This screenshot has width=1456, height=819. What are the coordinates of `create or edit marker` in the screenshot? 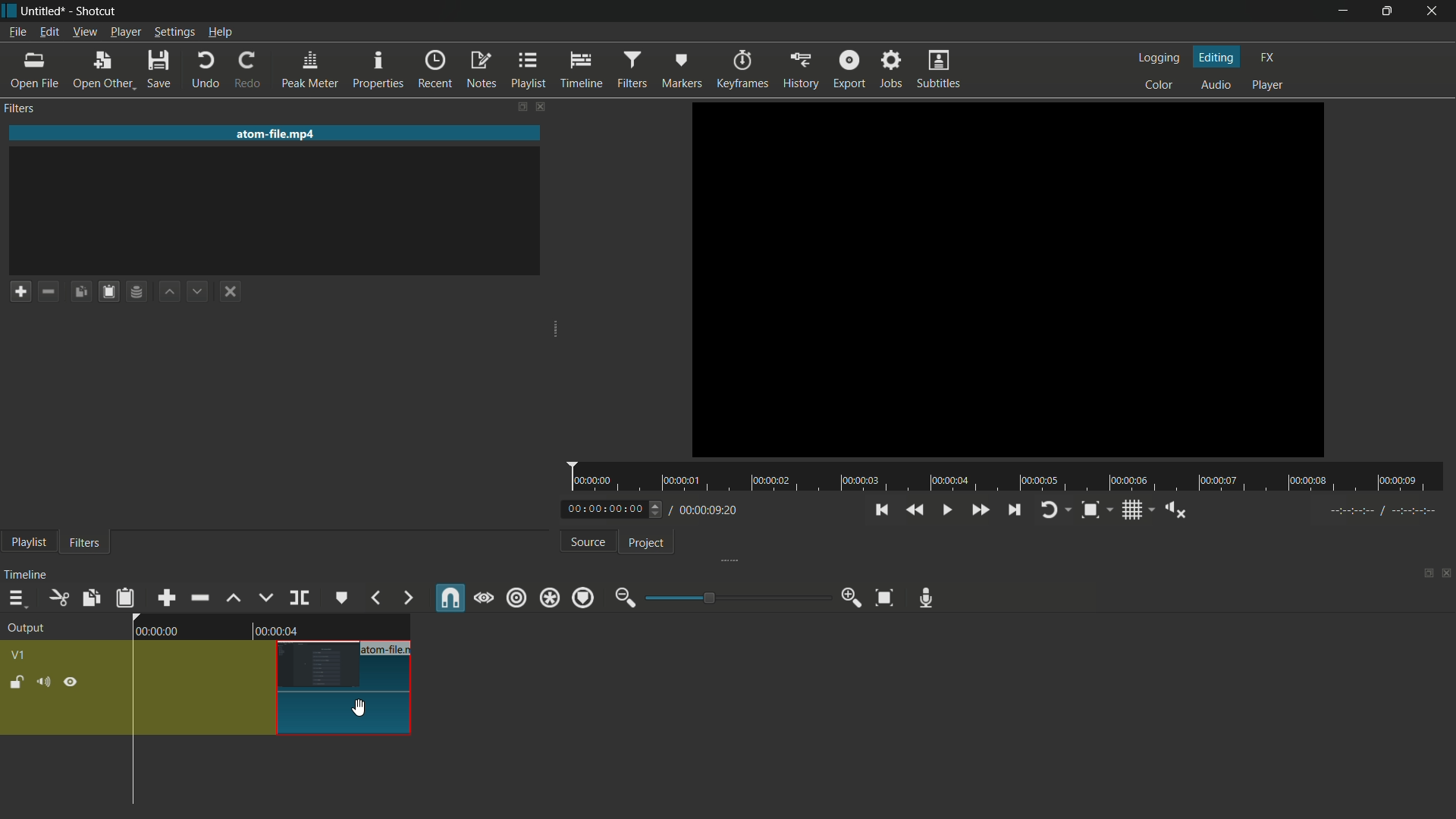 It's located at (339, 598).